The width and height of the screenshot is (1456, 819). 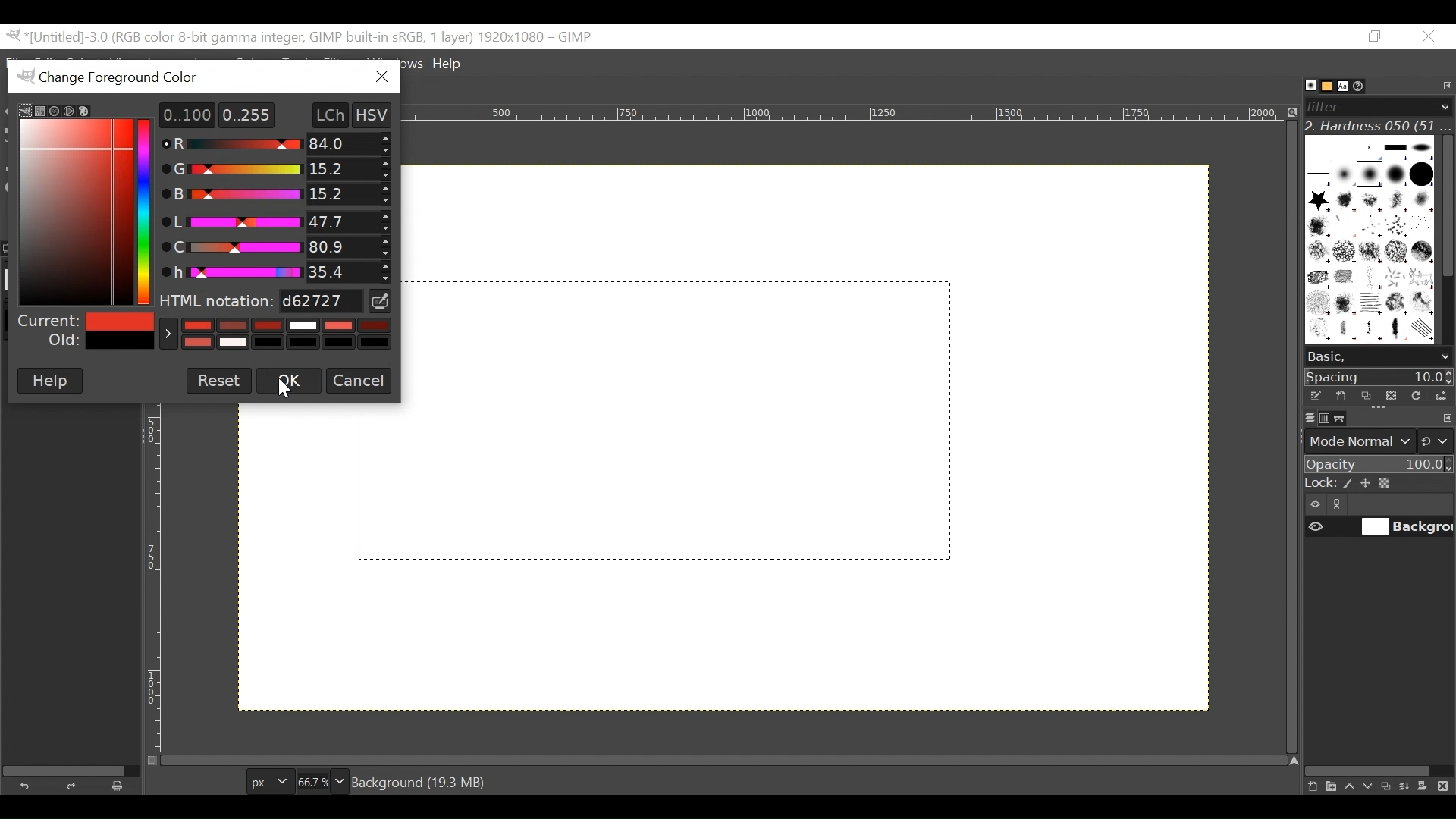 What do you see at coordinates (381, 301) in the screenshot?
I see `Click the eyedropper` at bounding box center [381, 301].